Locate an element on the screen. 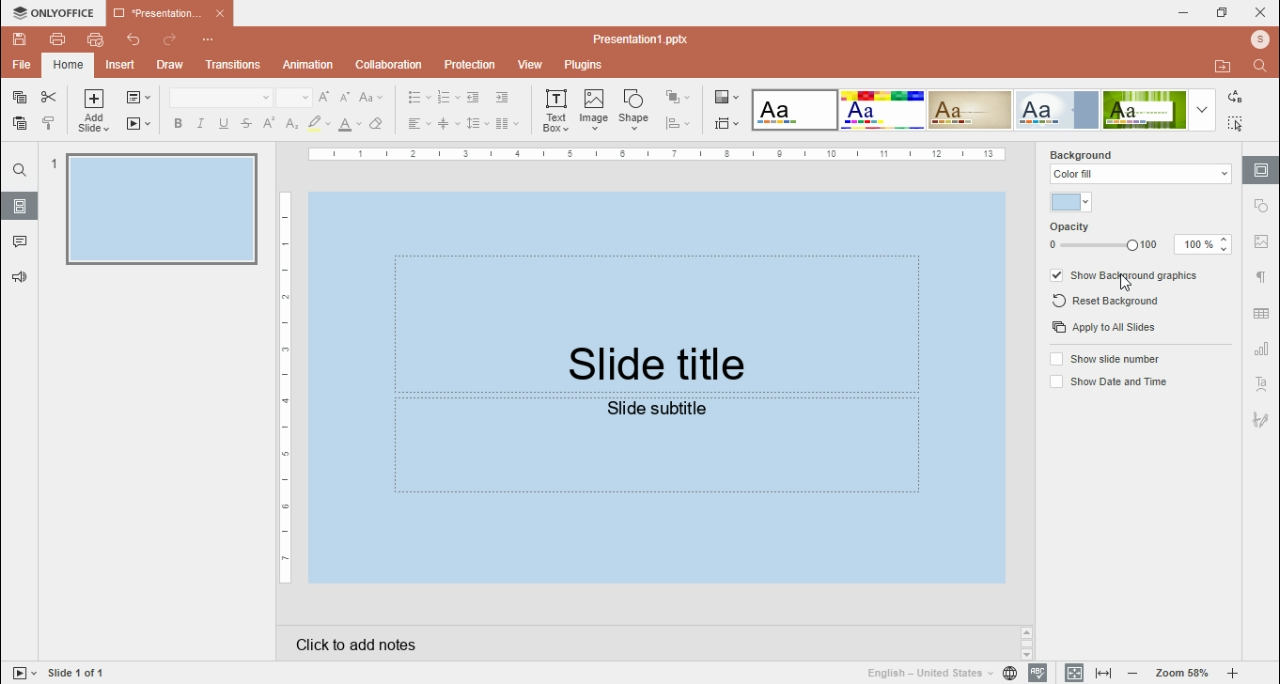 This screenshot has width=1280, height=684. text box is located at coordinates (556, 112).